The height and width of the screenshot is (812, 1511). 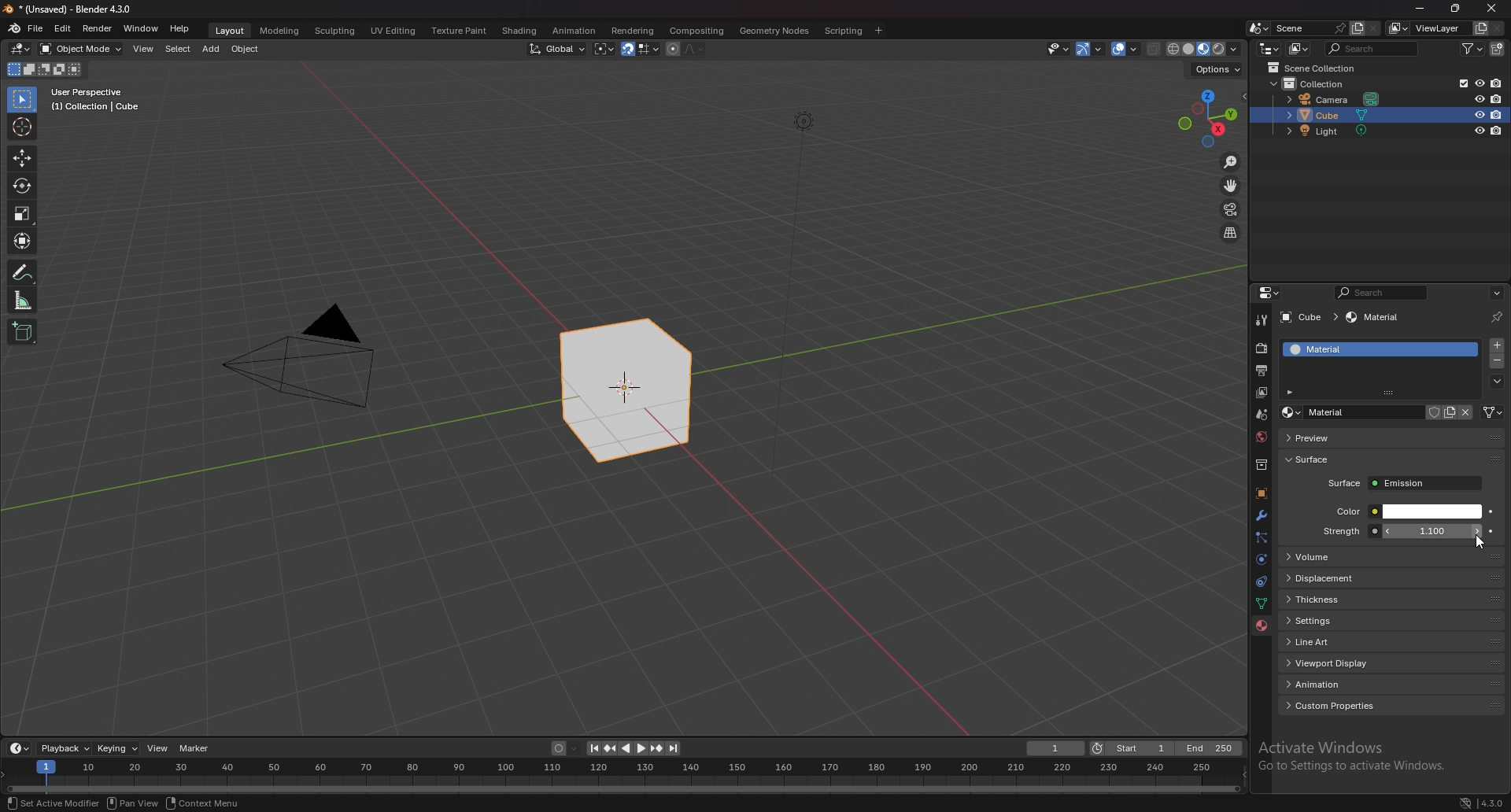 I want to click on add material, so click(x=1498, y=345).